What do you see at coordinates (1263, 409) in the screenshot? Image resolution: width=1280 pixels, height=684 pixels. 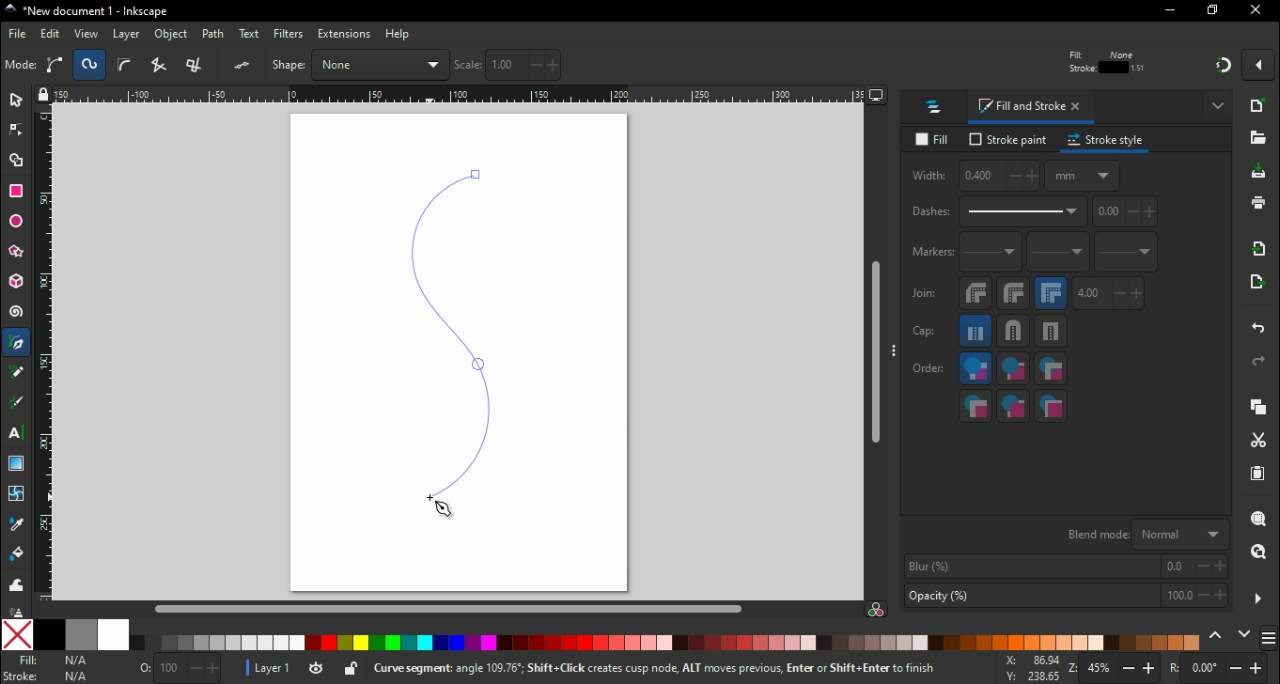 I see `copy` at bounding box center [1263, 409].